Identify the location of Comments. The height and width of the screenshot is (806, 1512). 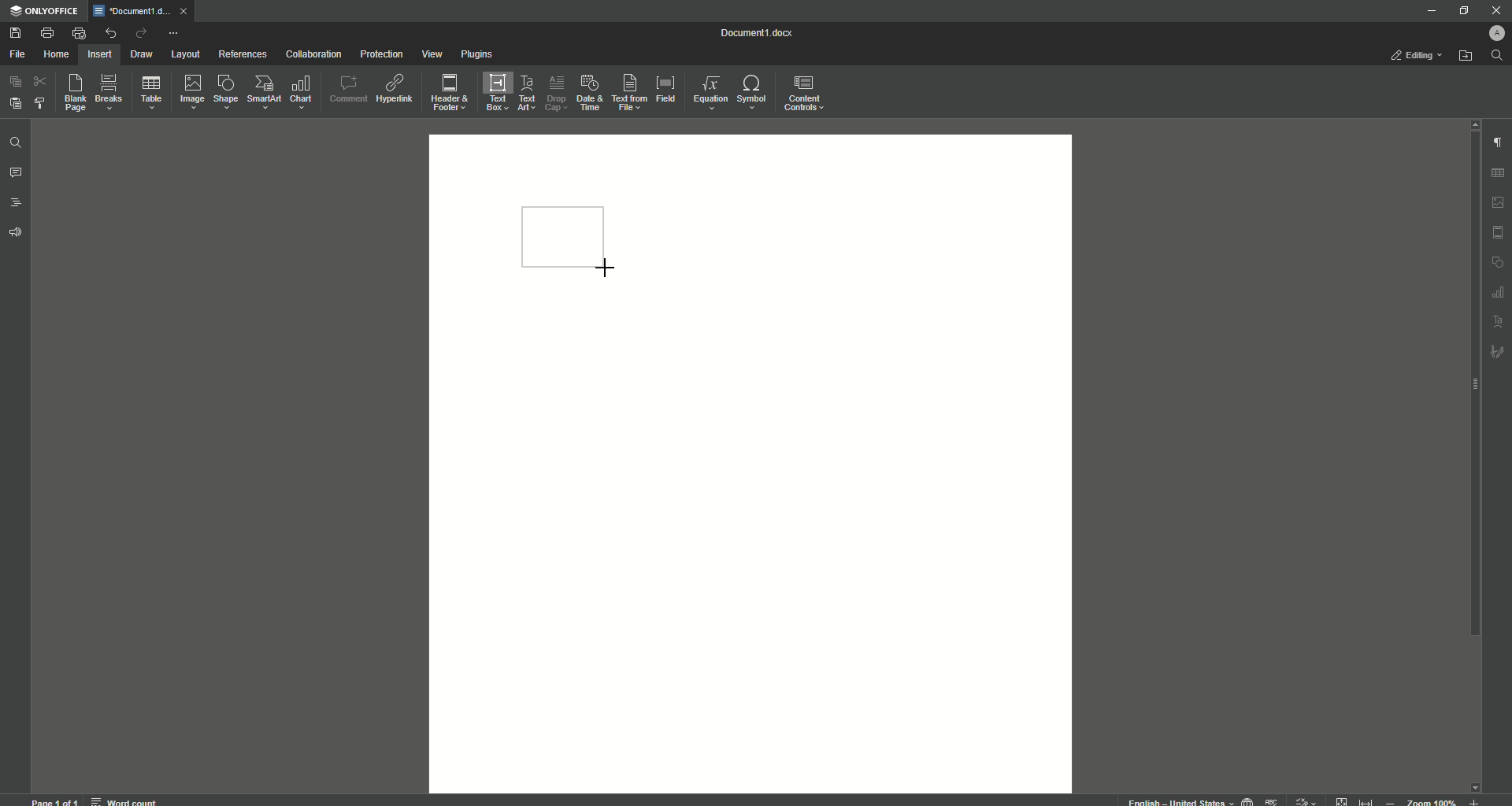
(16, 173).